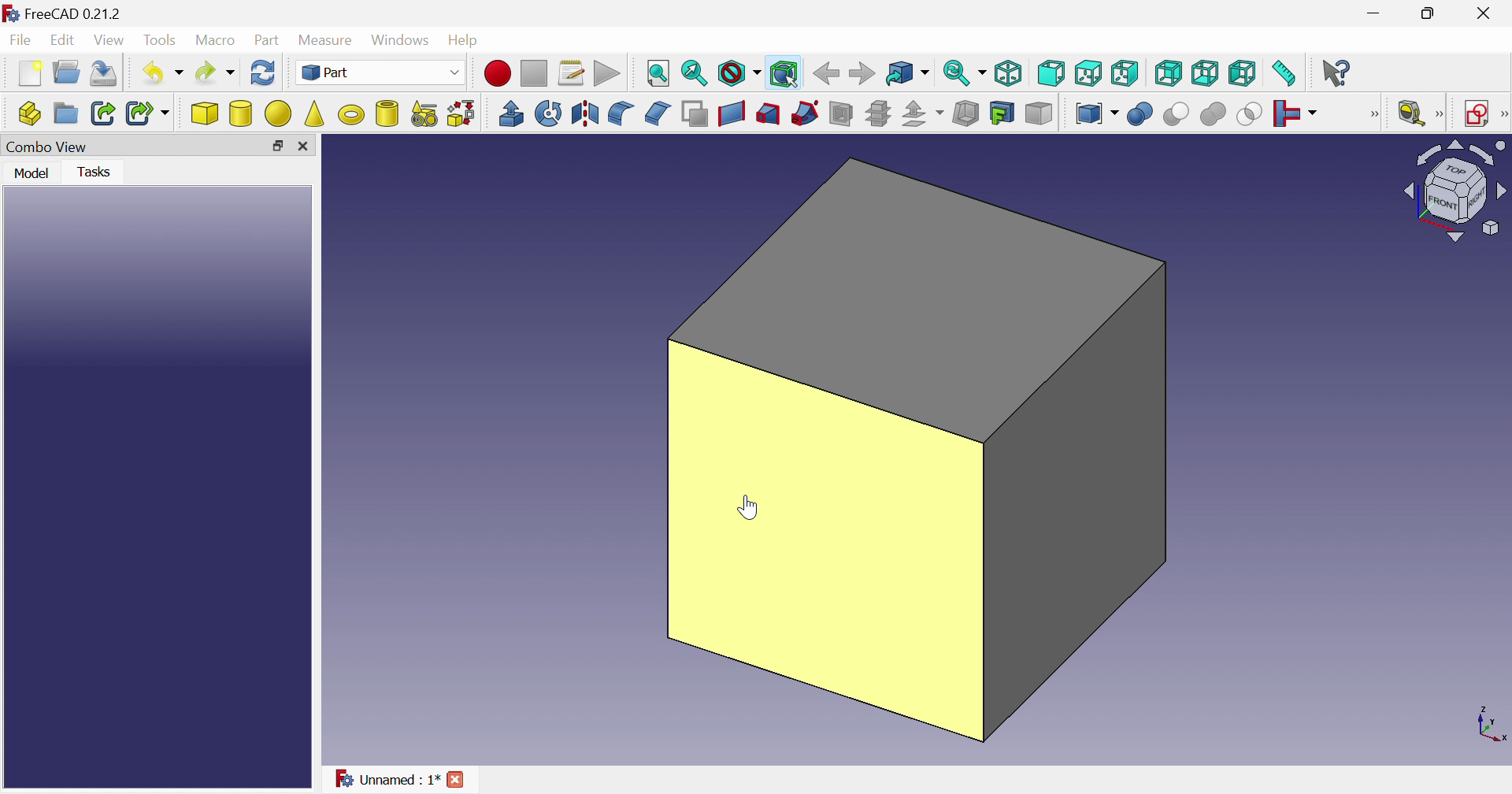  What do you see at coordinates (731, 113) in the screenshot?
I see `Create rules surface` at bounding box center [731, 113].